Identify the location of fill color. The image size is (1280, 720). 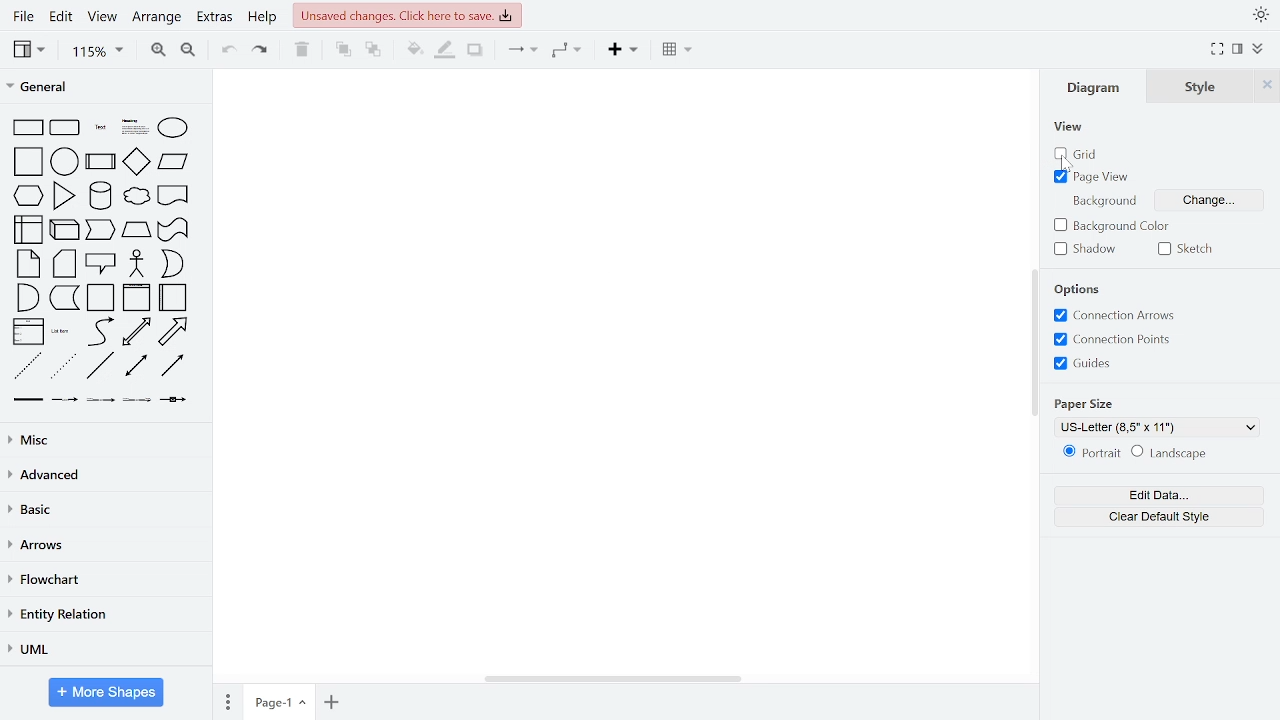
(413, 48).